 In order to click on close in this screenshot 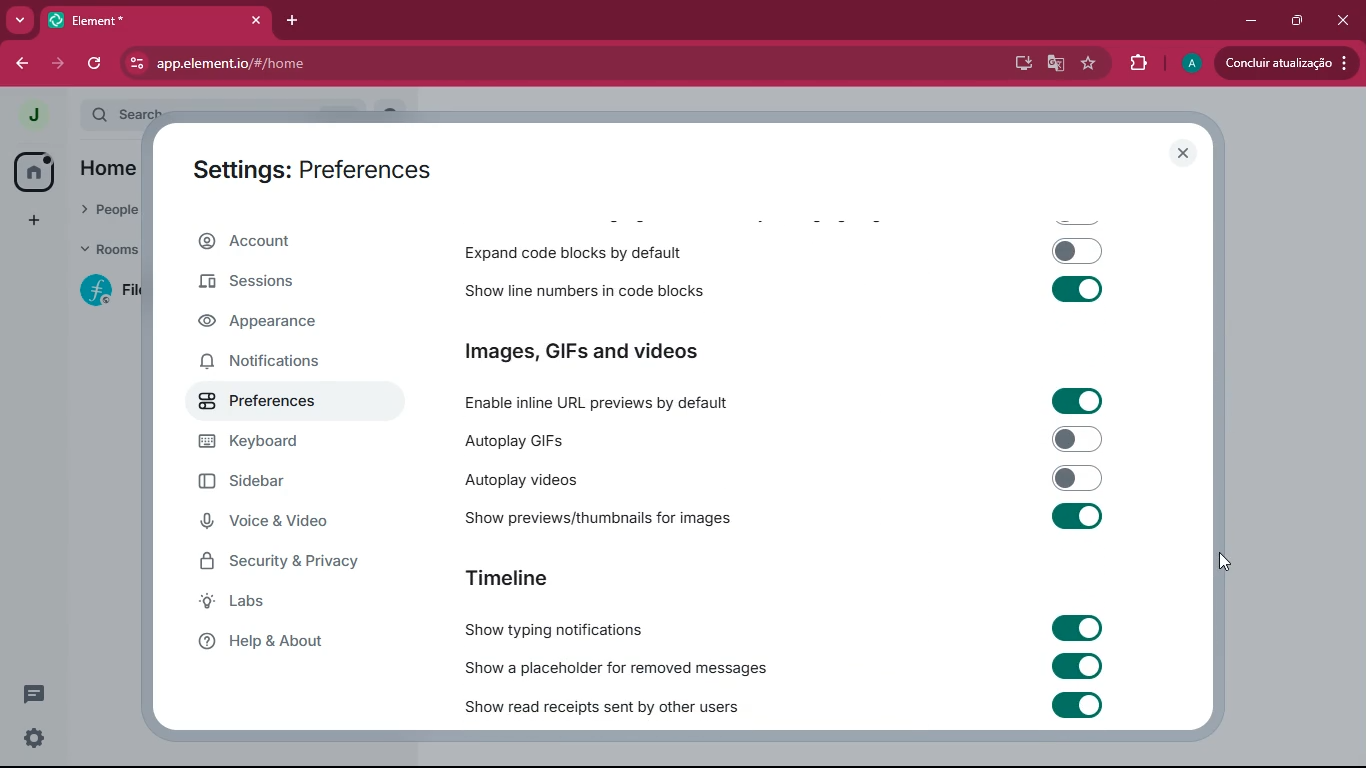, I will do `click(1345, 24)`.